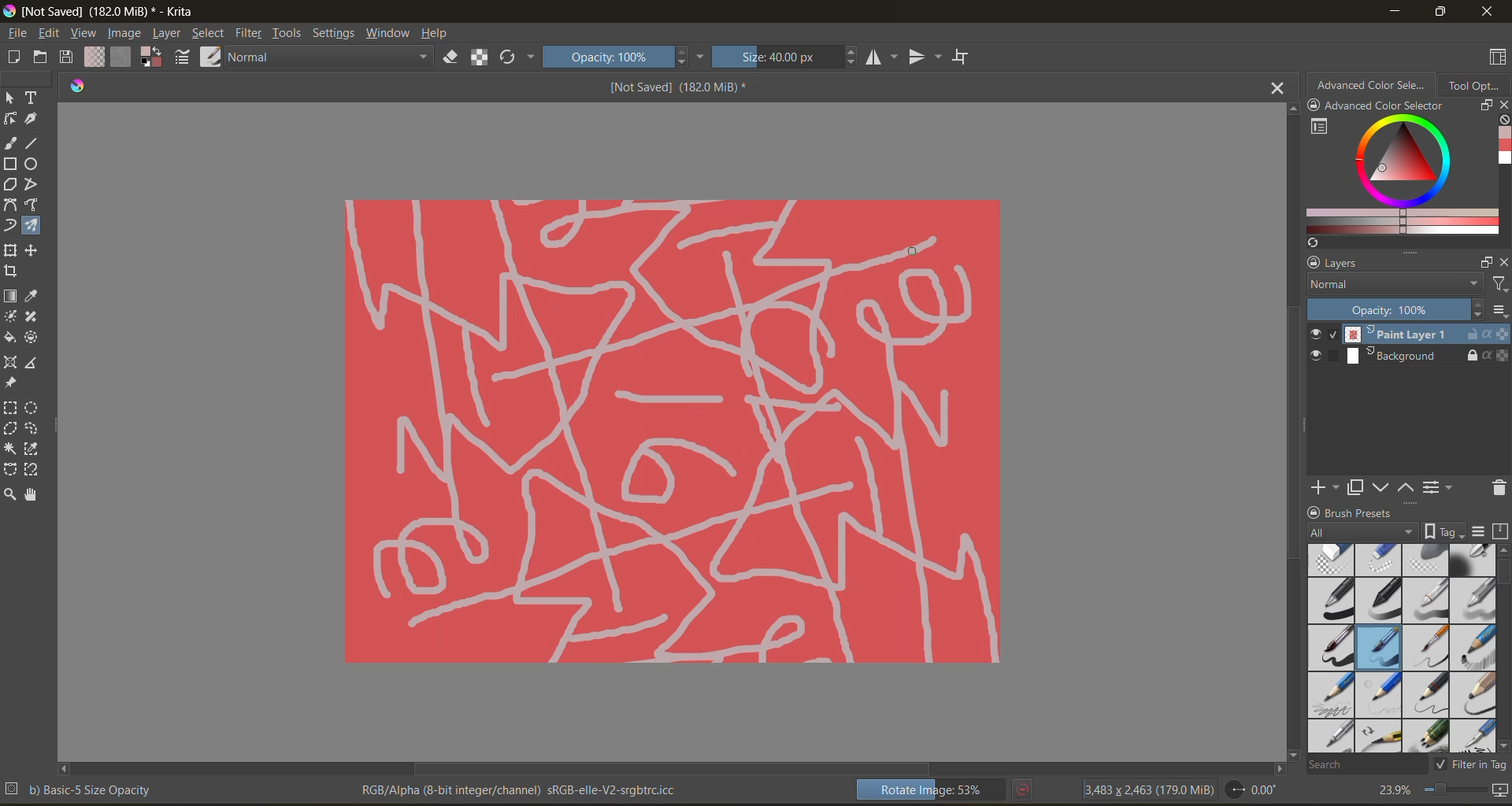  What do you see at coordinates (1468, 766) in the screenshot?
I see `filter in tag` at bounding box center [1468, 766].